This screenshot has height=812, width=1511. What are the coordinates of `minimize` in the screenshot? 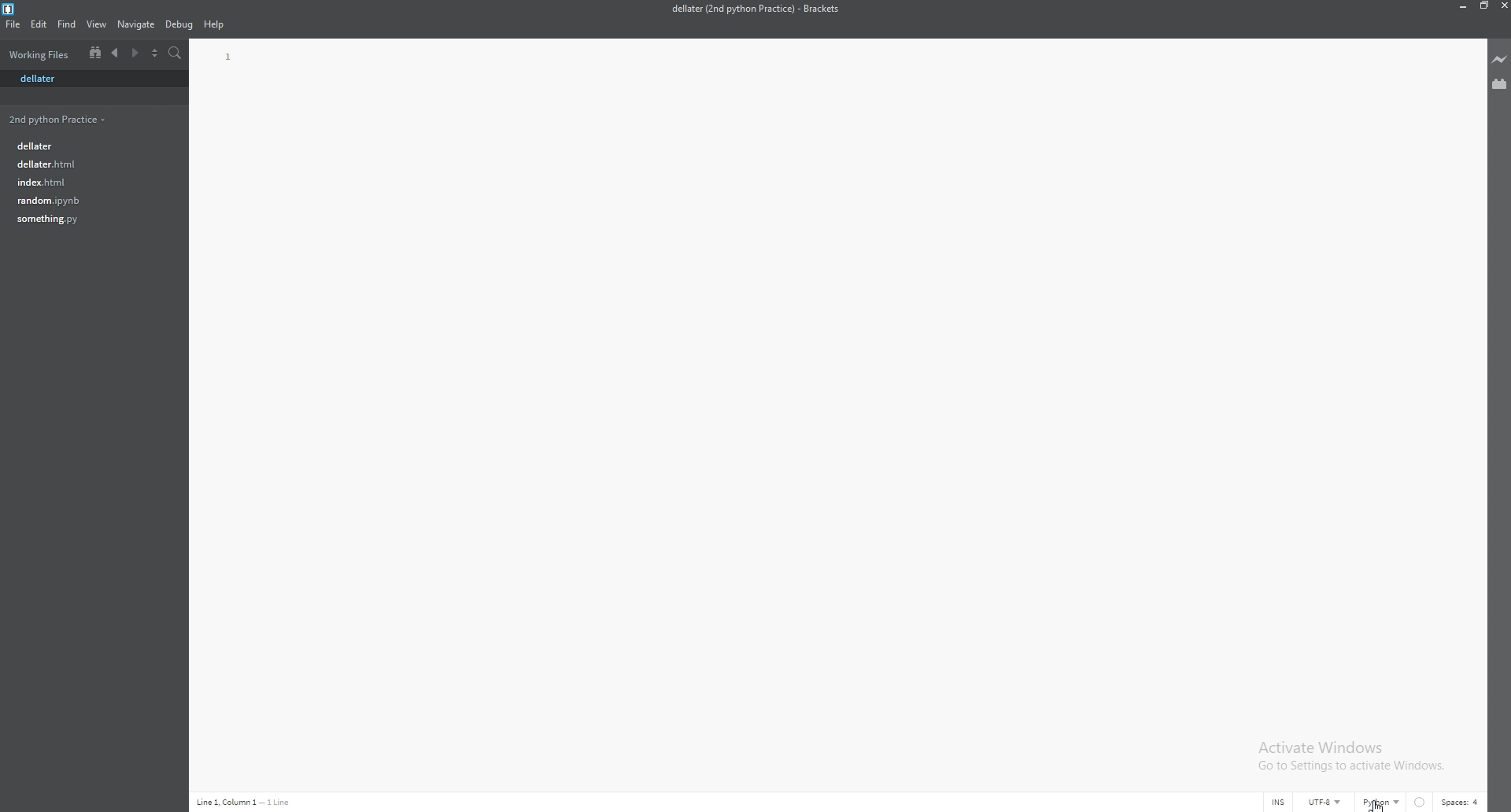 It's located at (1460, 6).